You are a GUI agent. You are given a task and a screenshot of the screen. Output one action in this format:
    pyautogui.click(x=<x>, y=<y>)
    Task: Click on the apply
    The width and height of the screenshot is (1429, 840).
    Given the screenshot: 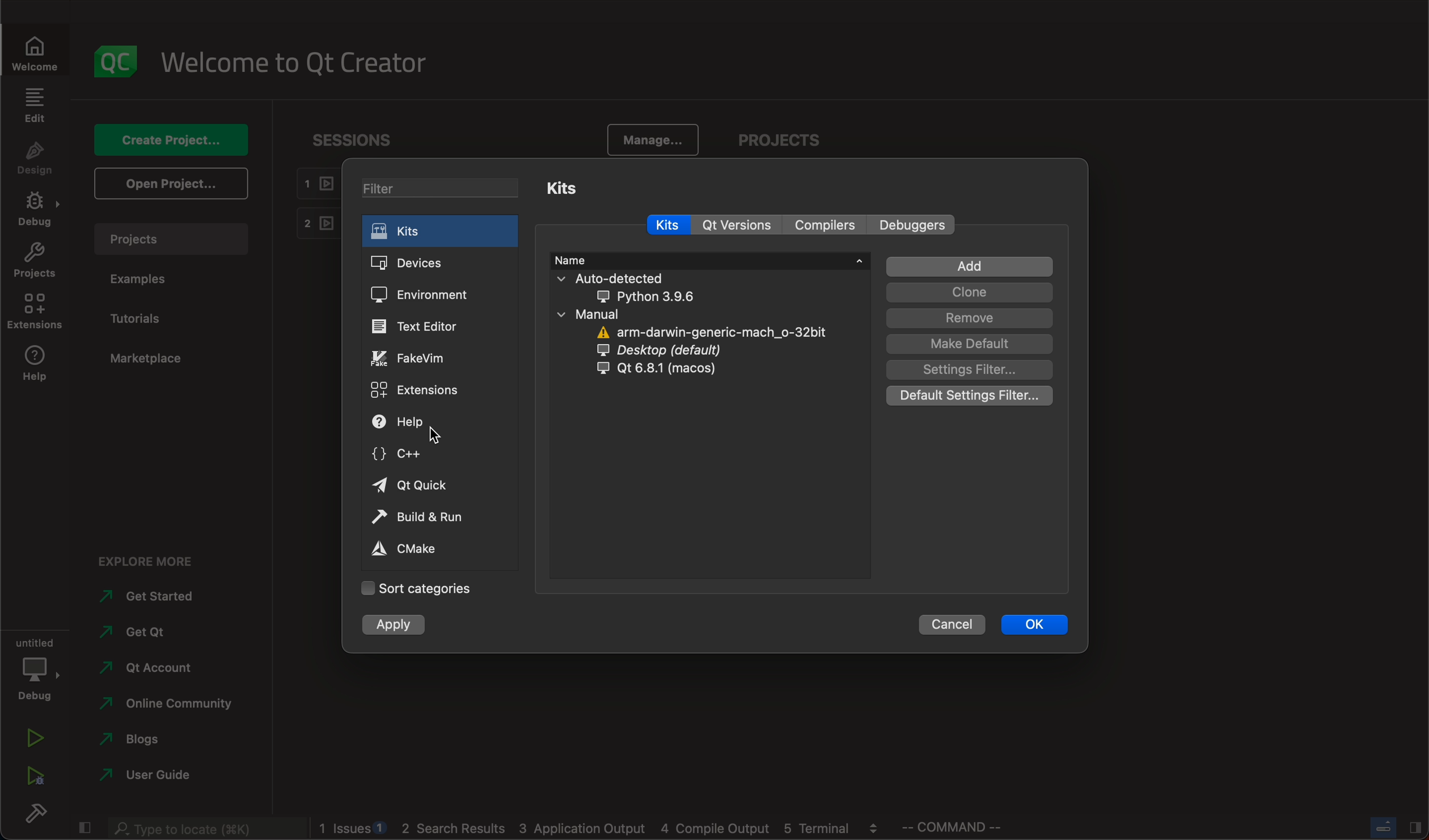 What is the action you would take?
    pyautogui.click(x=398, y=626)
    